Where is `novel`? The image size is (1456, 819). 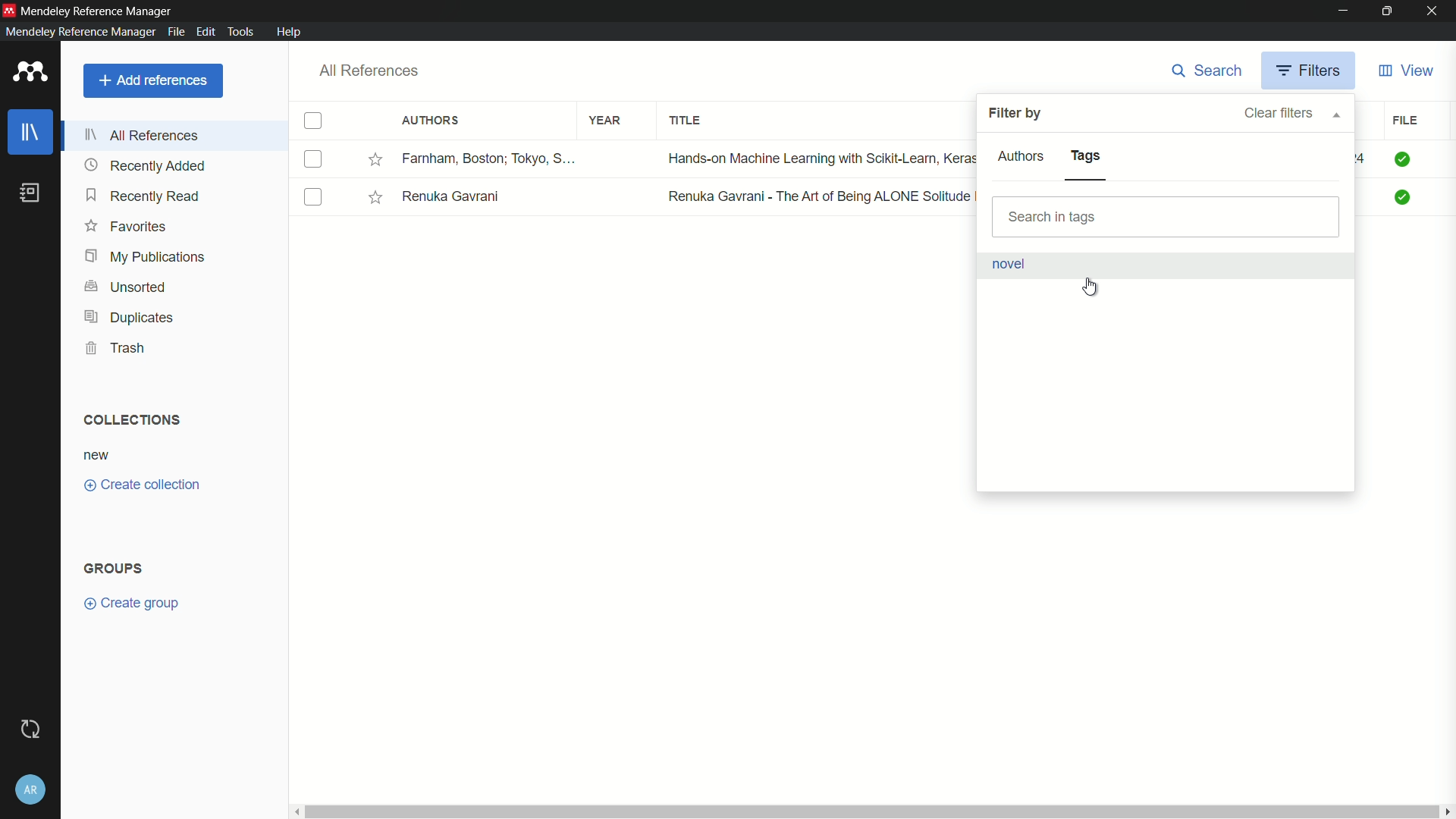 novel is located at coordinates (1009, 263).